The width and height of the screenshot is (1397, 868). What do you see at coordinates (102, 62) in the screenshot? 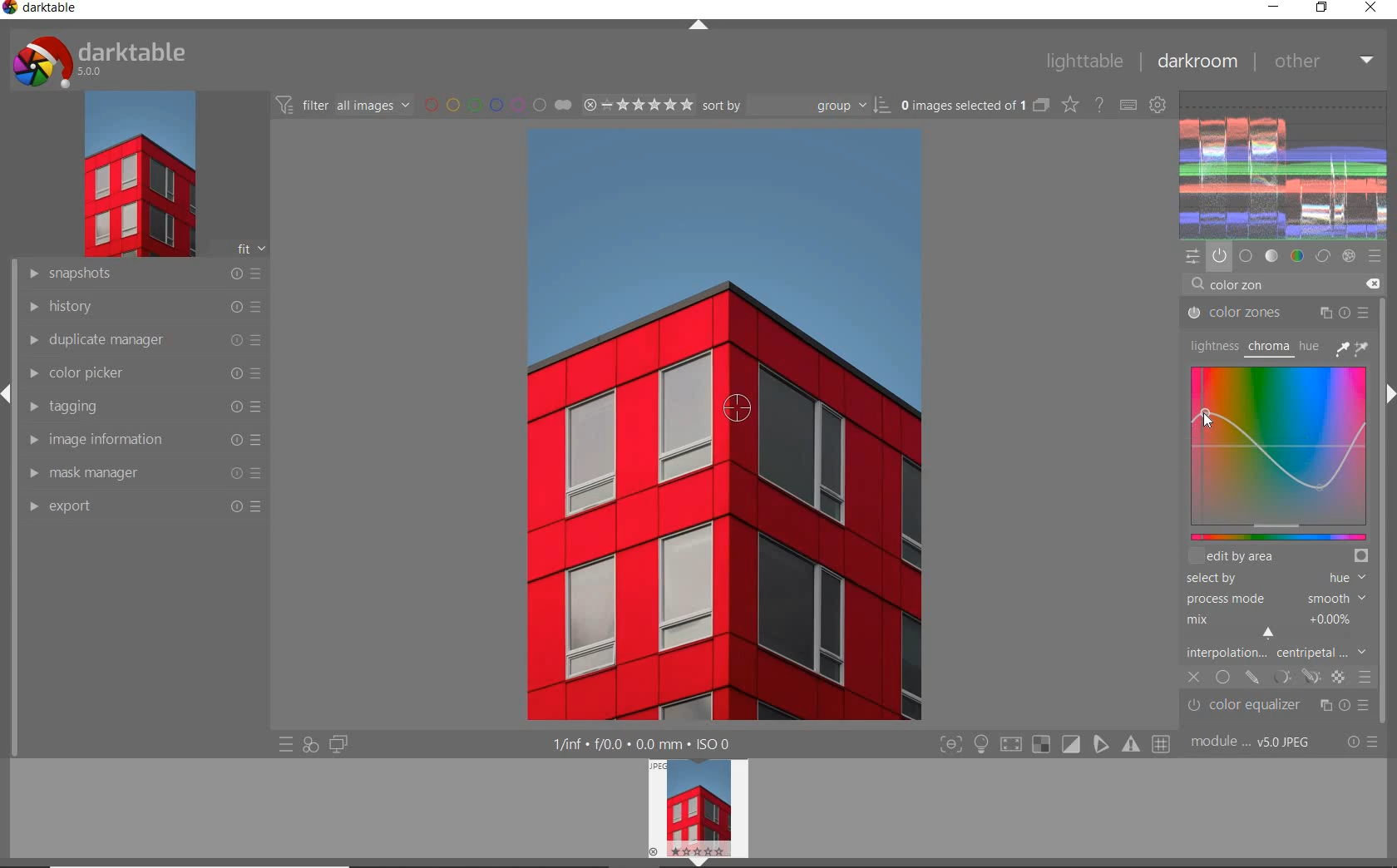
I see `system logo & name` at bounding box center [102, 62].